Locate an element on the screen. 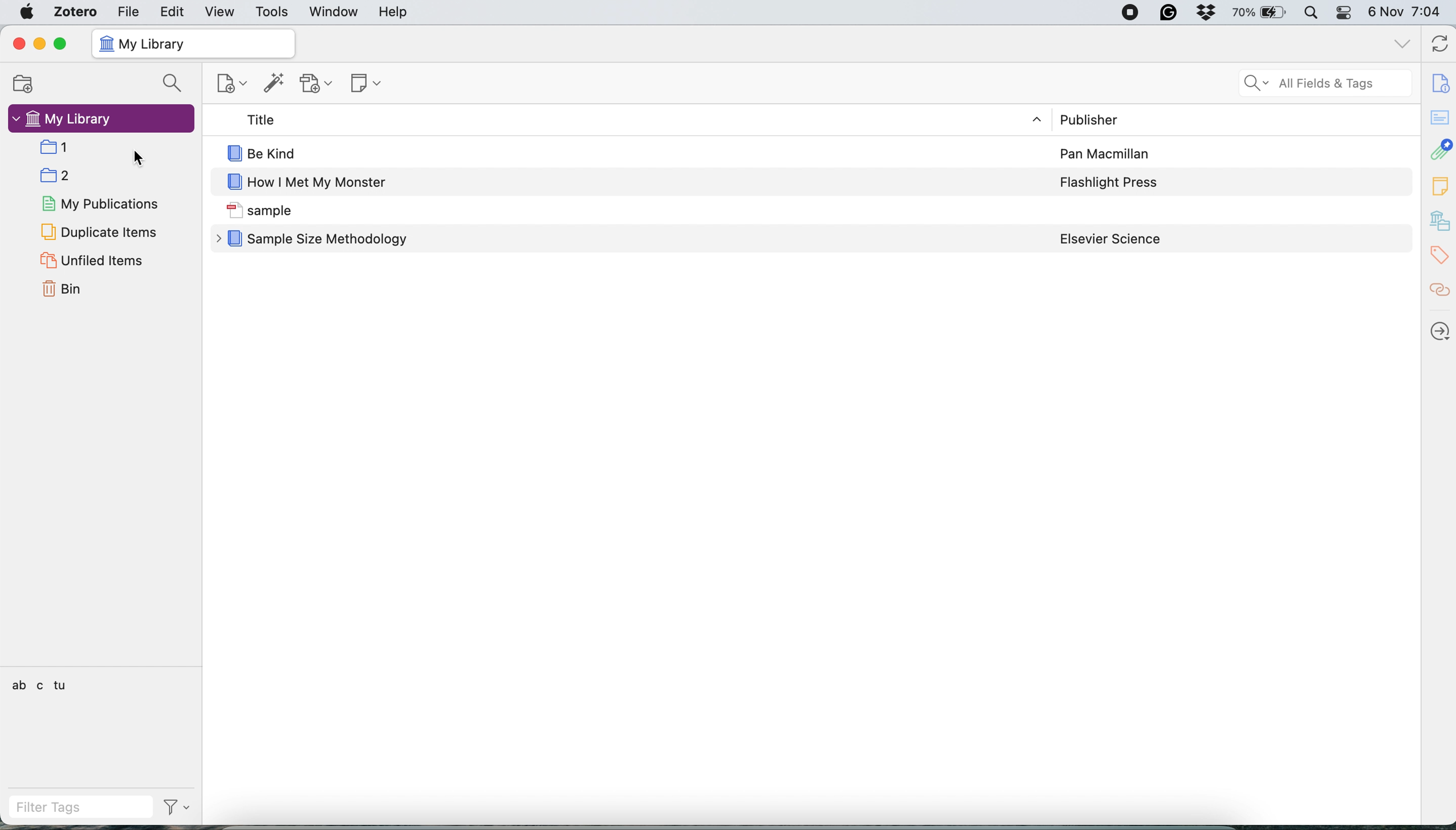  help is located at coordinates (401, 13).